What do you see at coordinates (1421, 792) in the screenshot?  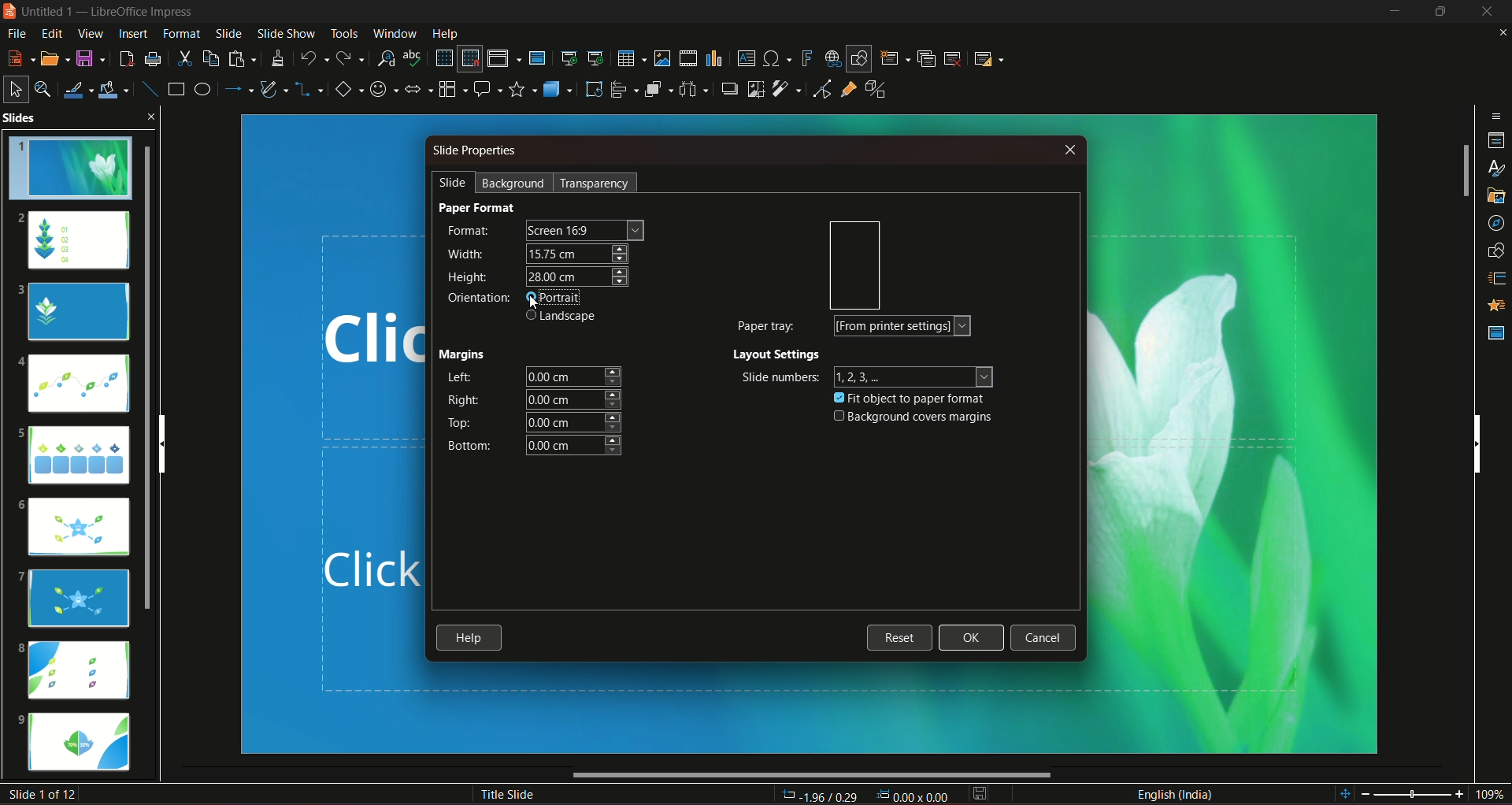 I see `zoom` at bounding box center [1421, 792].